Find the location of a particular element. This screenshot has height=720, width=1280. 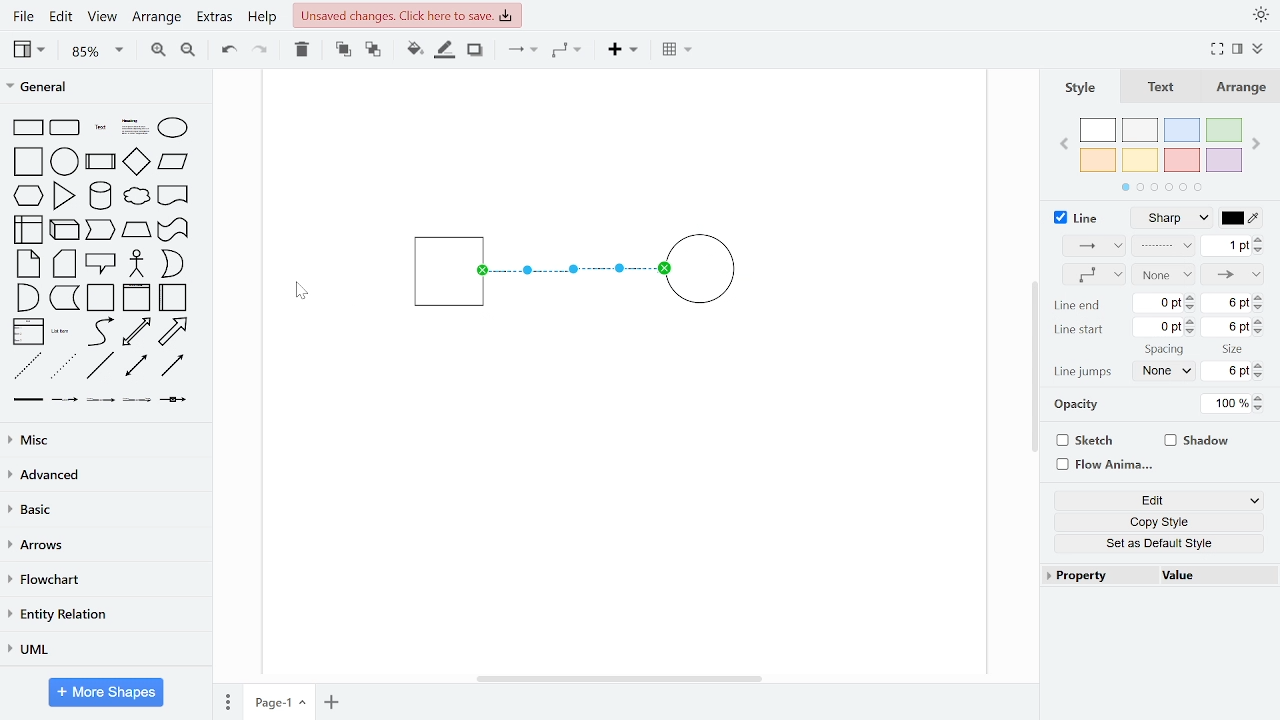

diamond is located at coordinates (136, 163).